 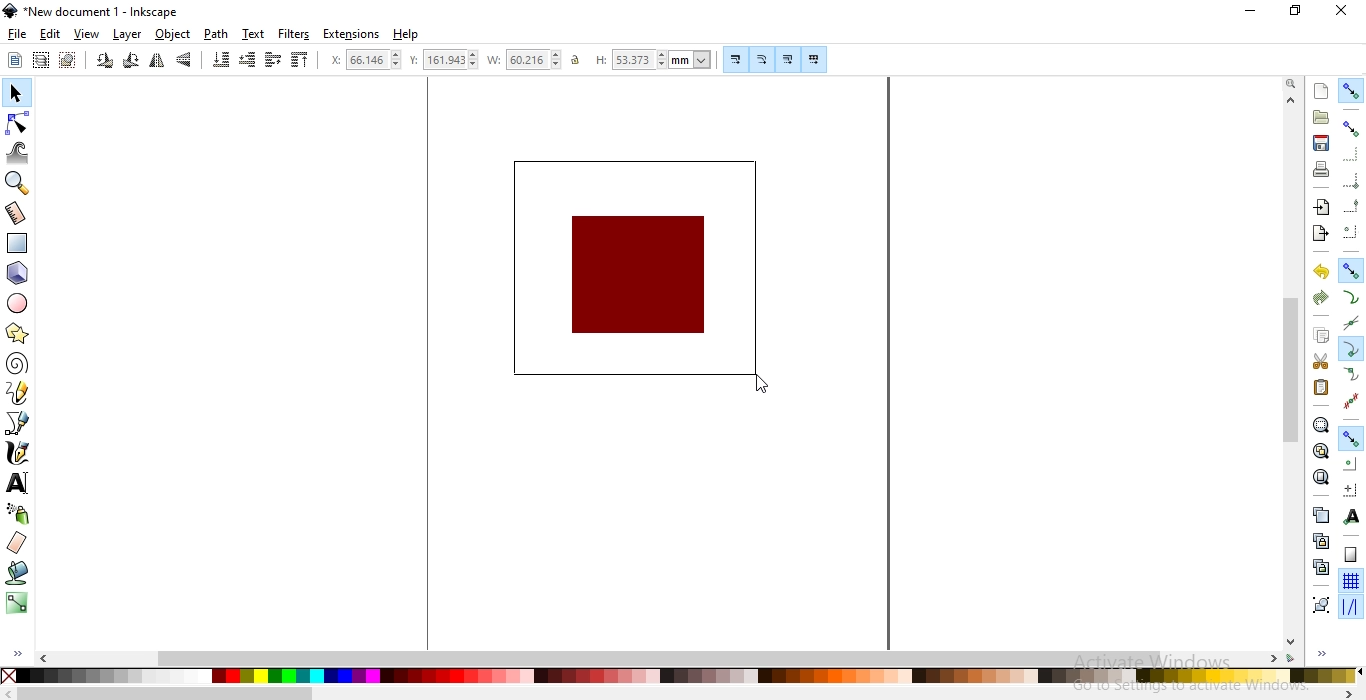 I want to click on cut the selected clones, so click(x=1321, y=566).